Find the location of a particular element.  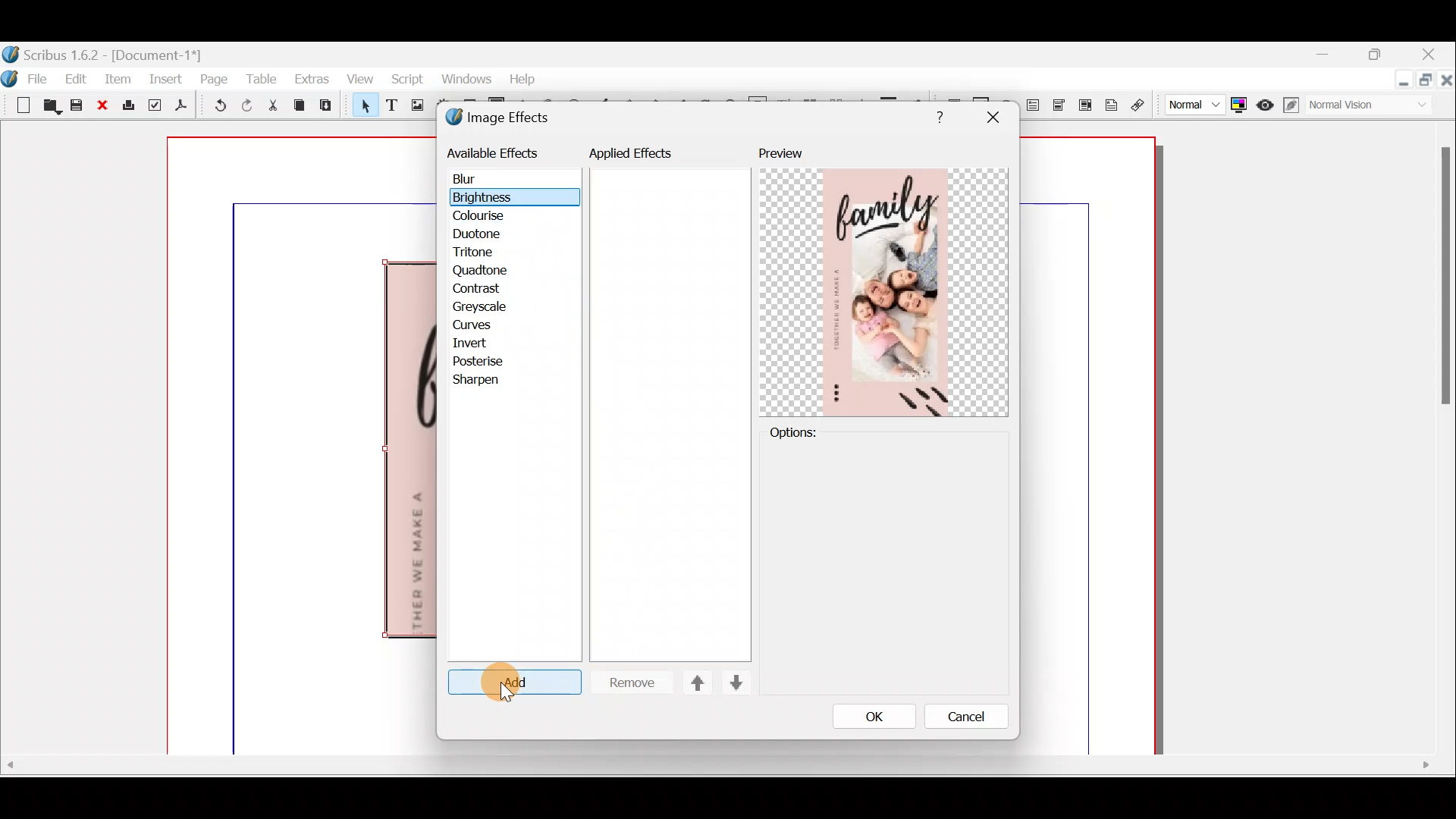

Remove is located at coordinates (626, 683).